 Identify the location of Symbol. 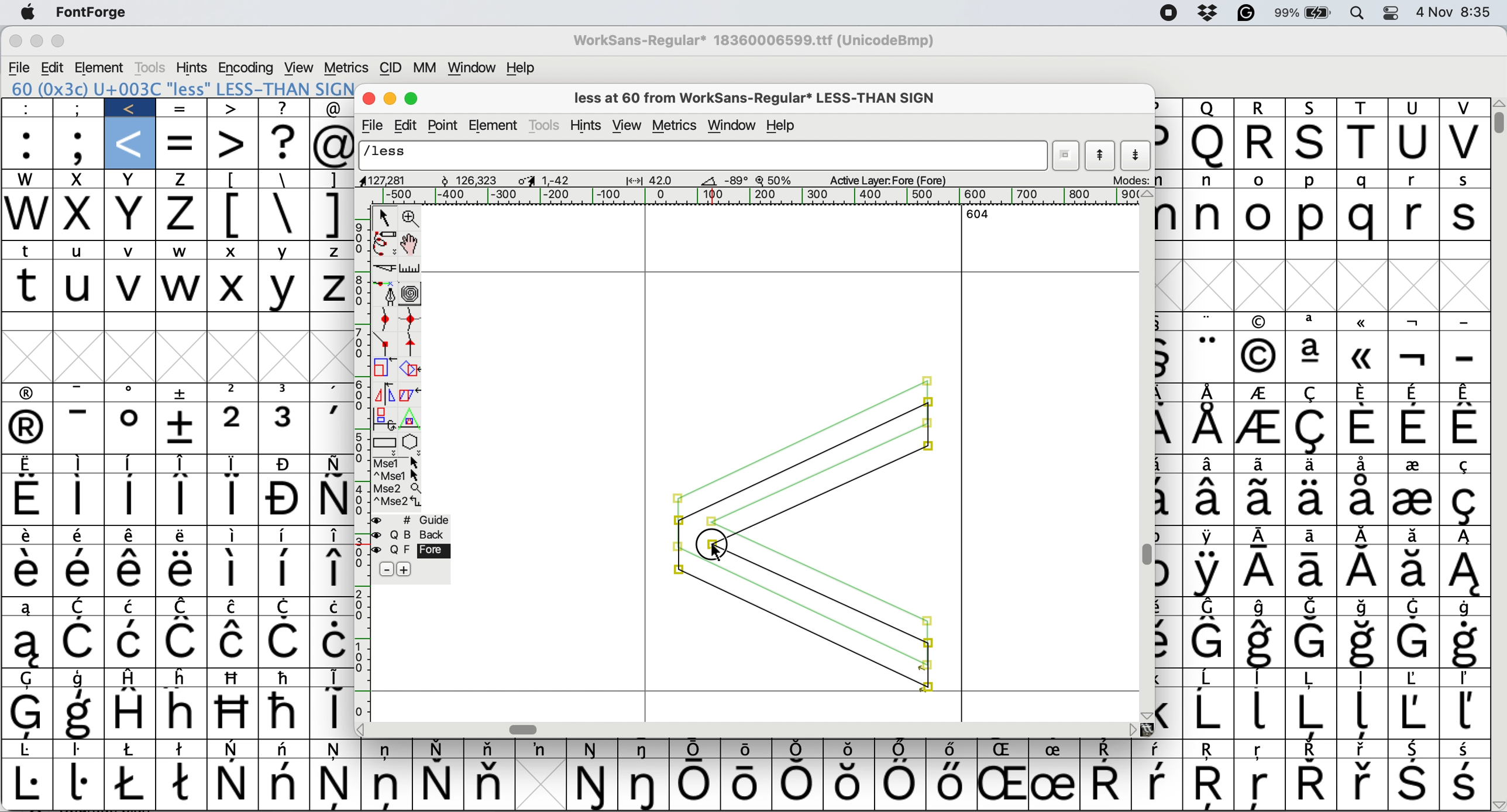
(1413, 749).